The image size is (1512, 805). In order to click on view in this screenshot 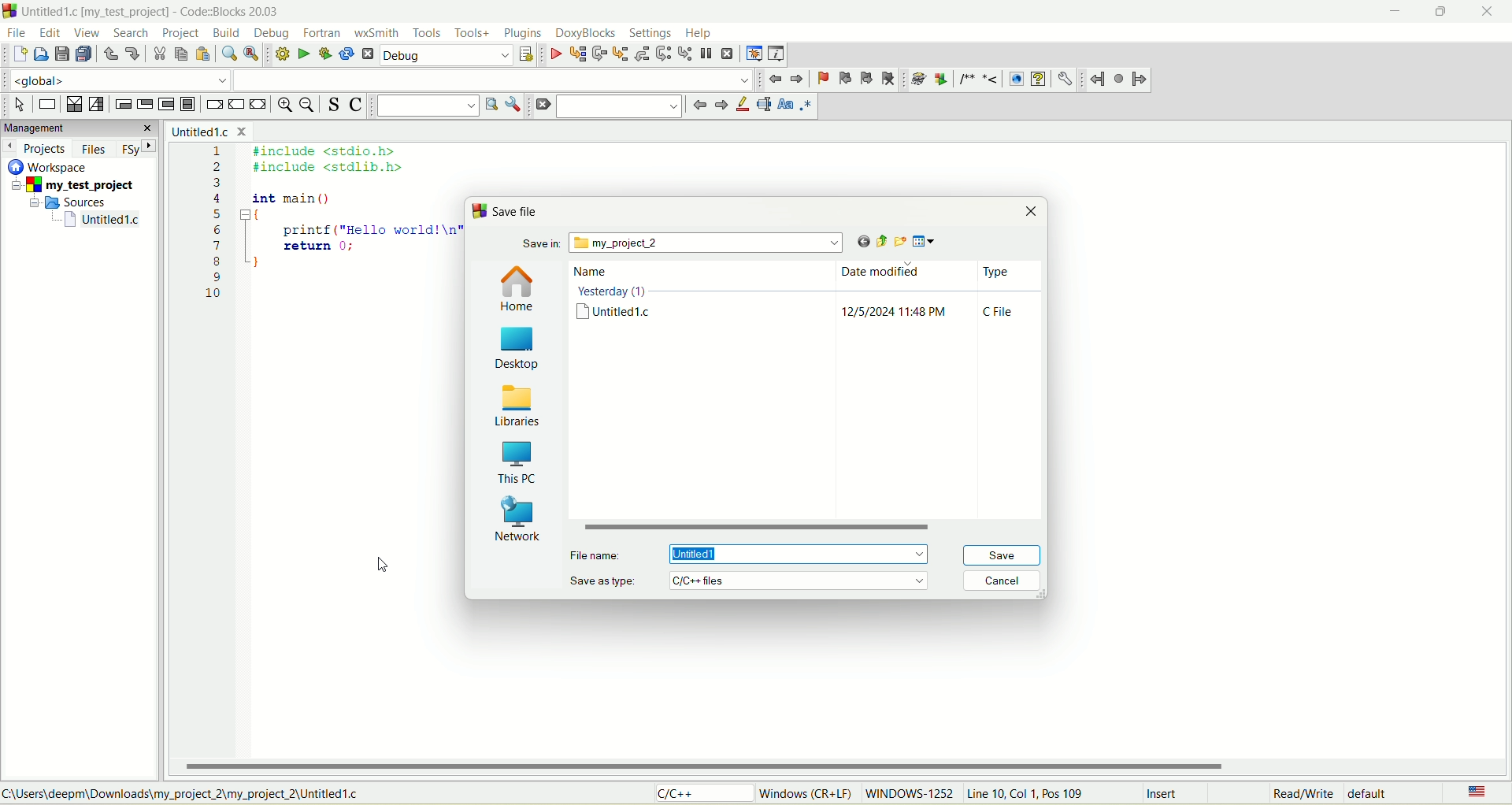, I will do `click(88, 33)`.